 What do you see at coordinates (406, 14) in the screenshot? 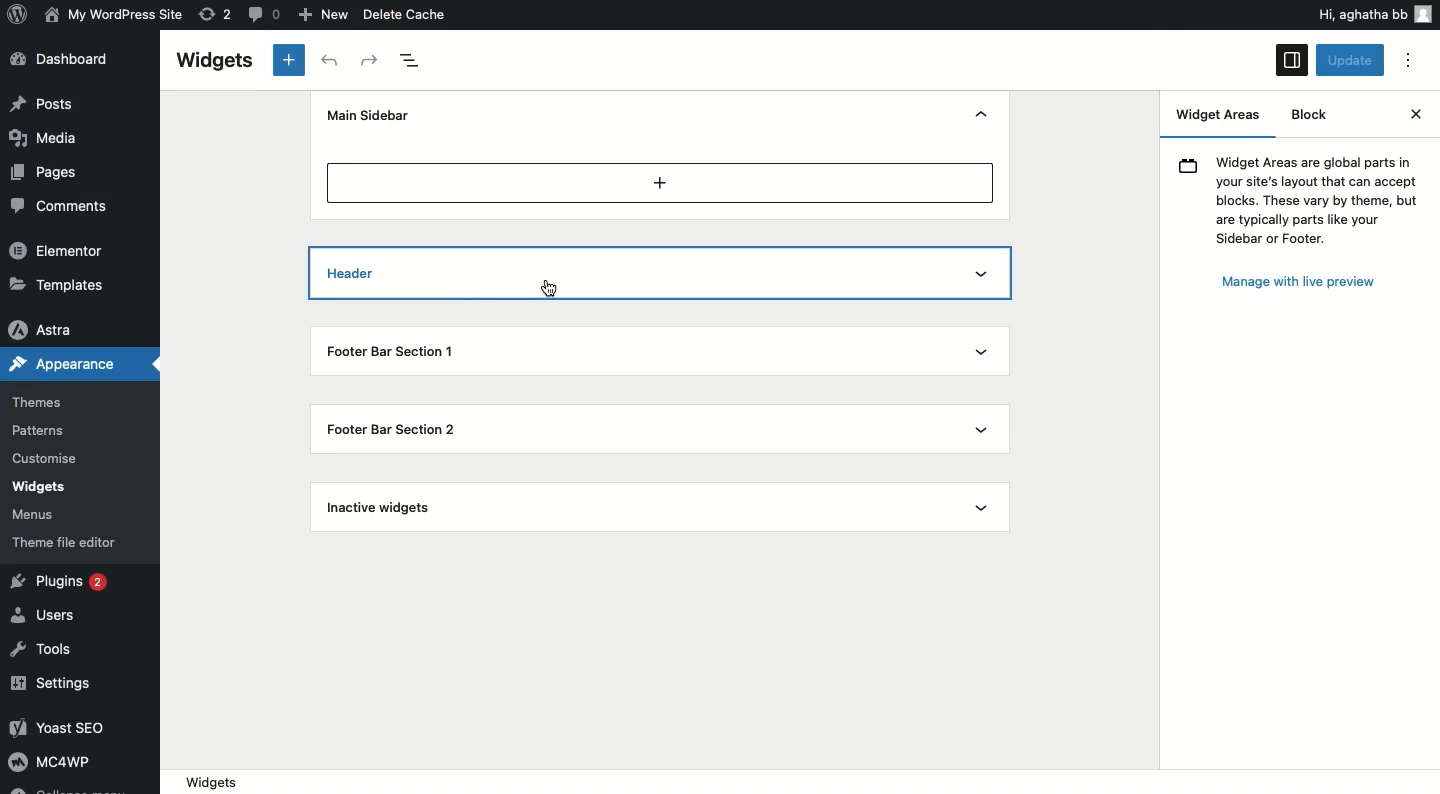
I see `Delete cache` at bounding box center [406, 14].